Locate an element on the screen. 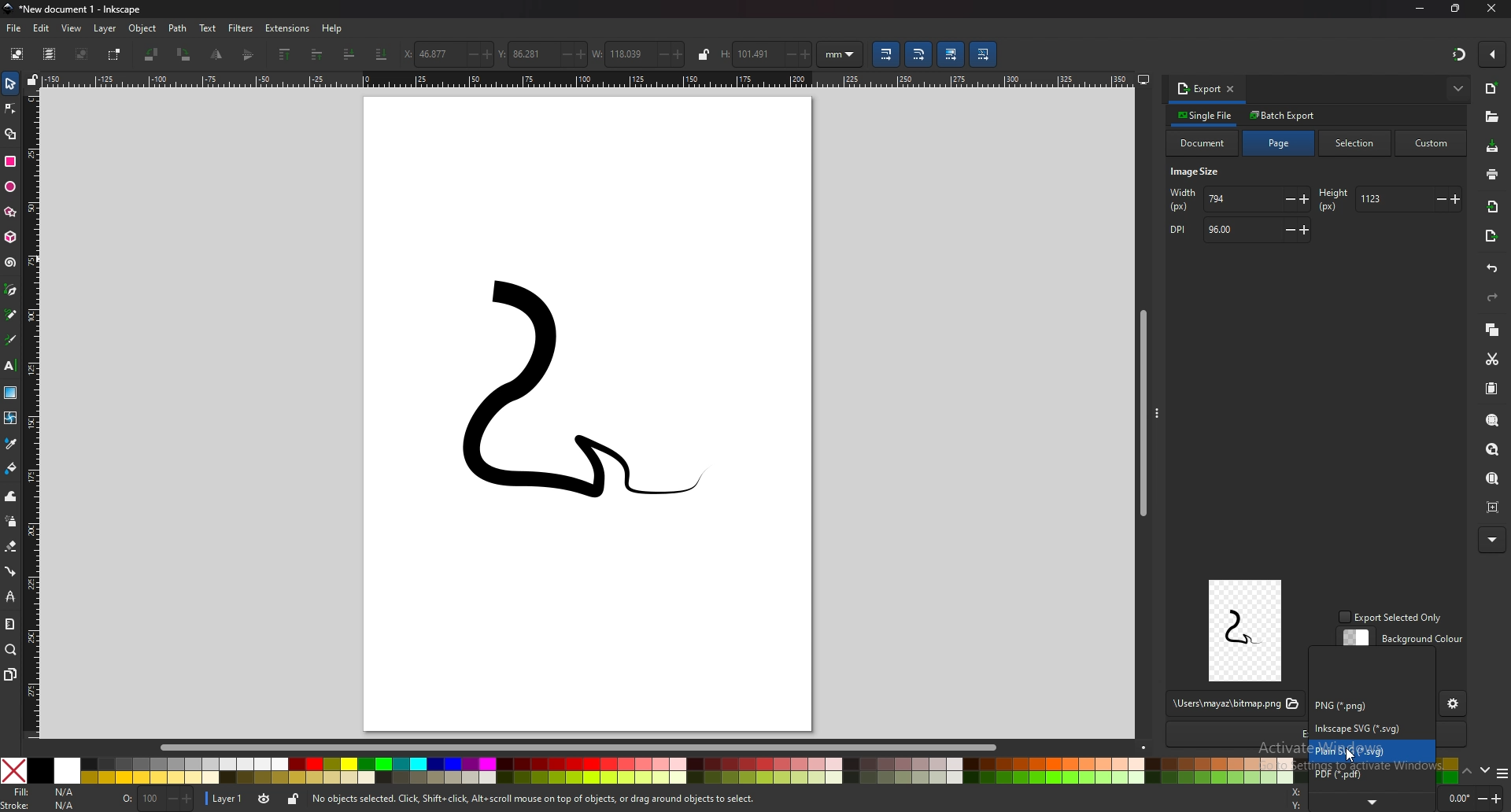 Image resolution: width=1511 pixels, height=812 pixels. width is located at coordinates (1240, 200).